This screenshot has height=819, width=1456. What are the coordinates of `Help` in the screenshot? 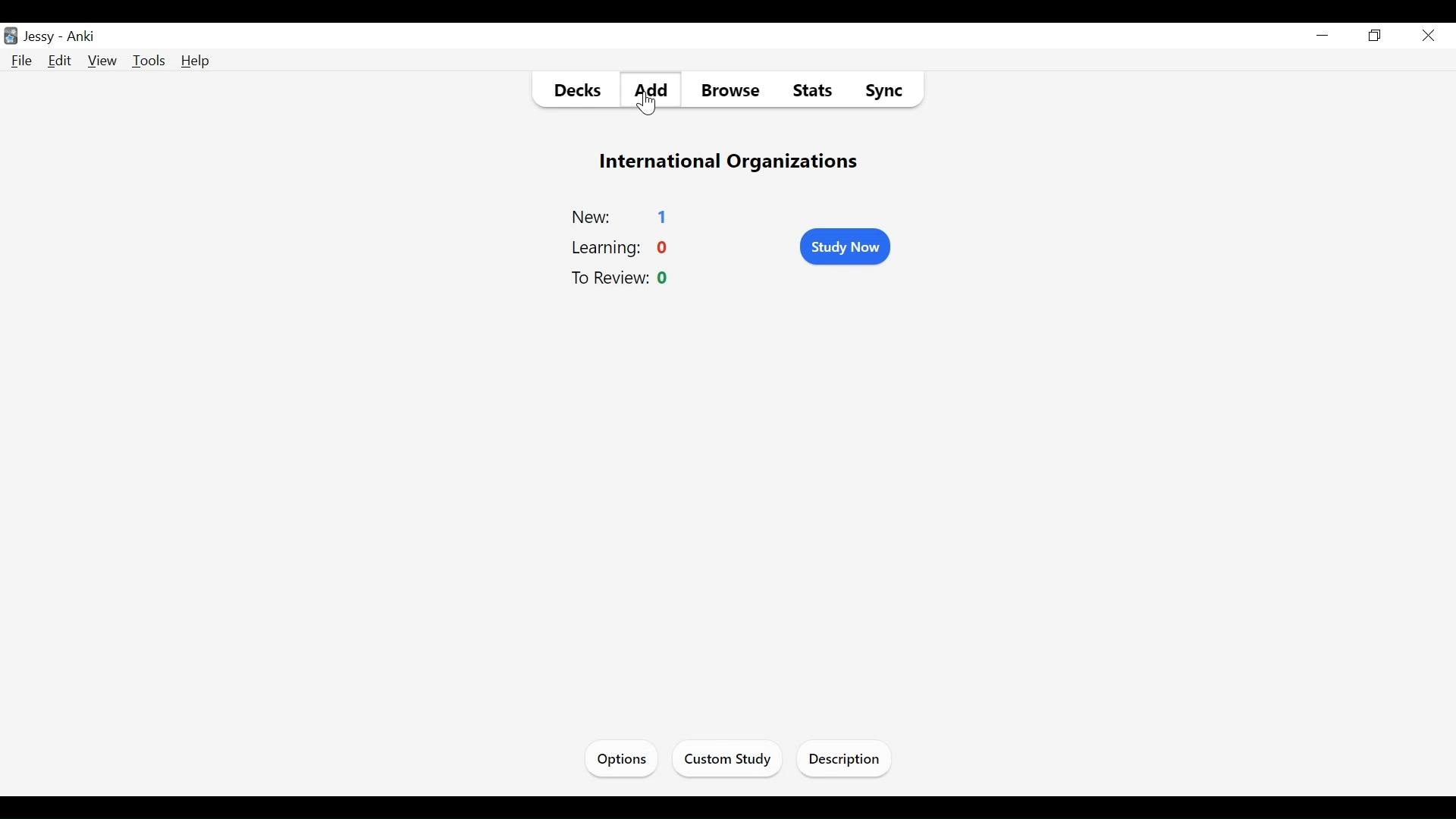 It's located at (197, 62).